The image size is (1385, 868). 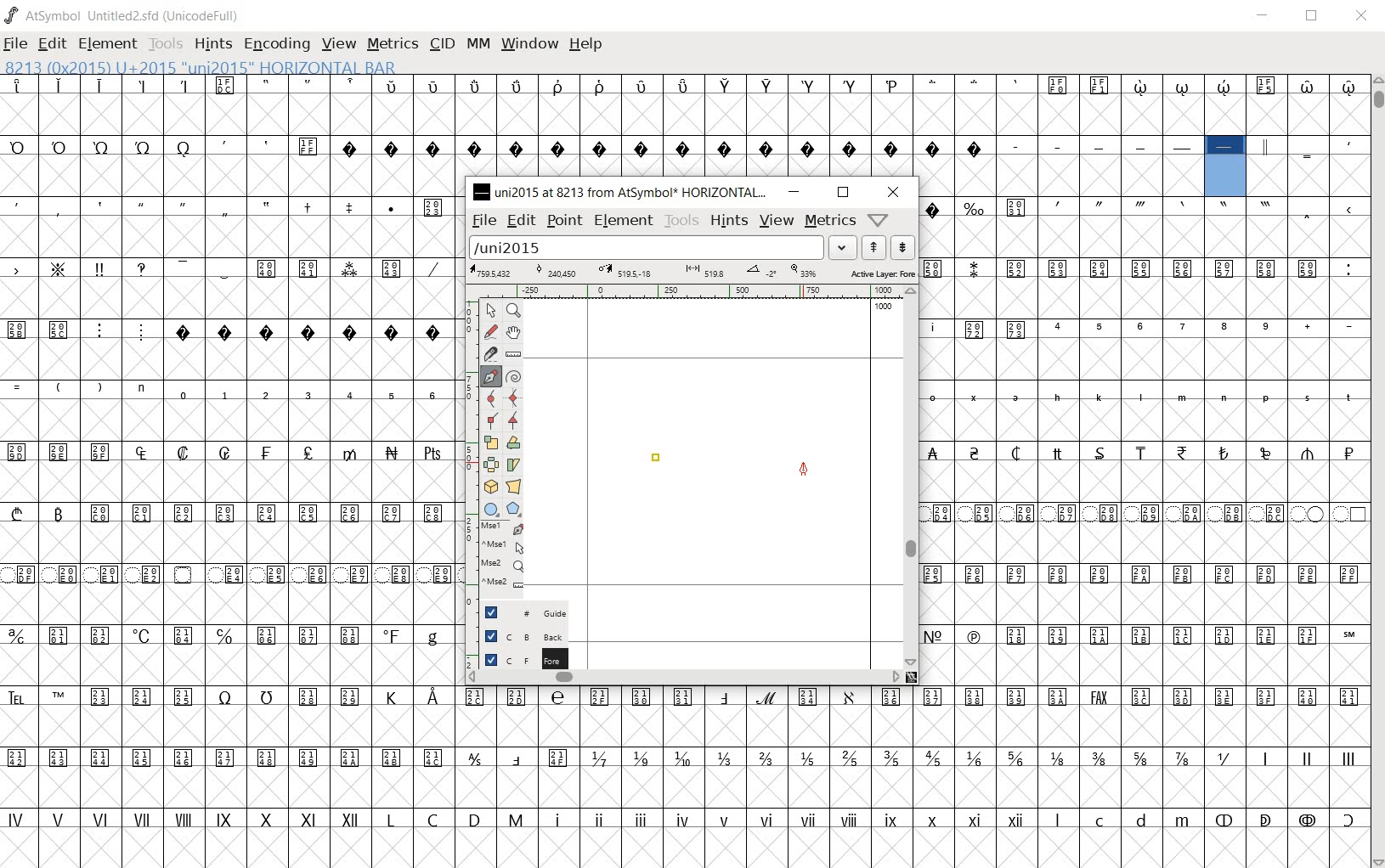 I want to click on help/window, so click(x=877, y=220).